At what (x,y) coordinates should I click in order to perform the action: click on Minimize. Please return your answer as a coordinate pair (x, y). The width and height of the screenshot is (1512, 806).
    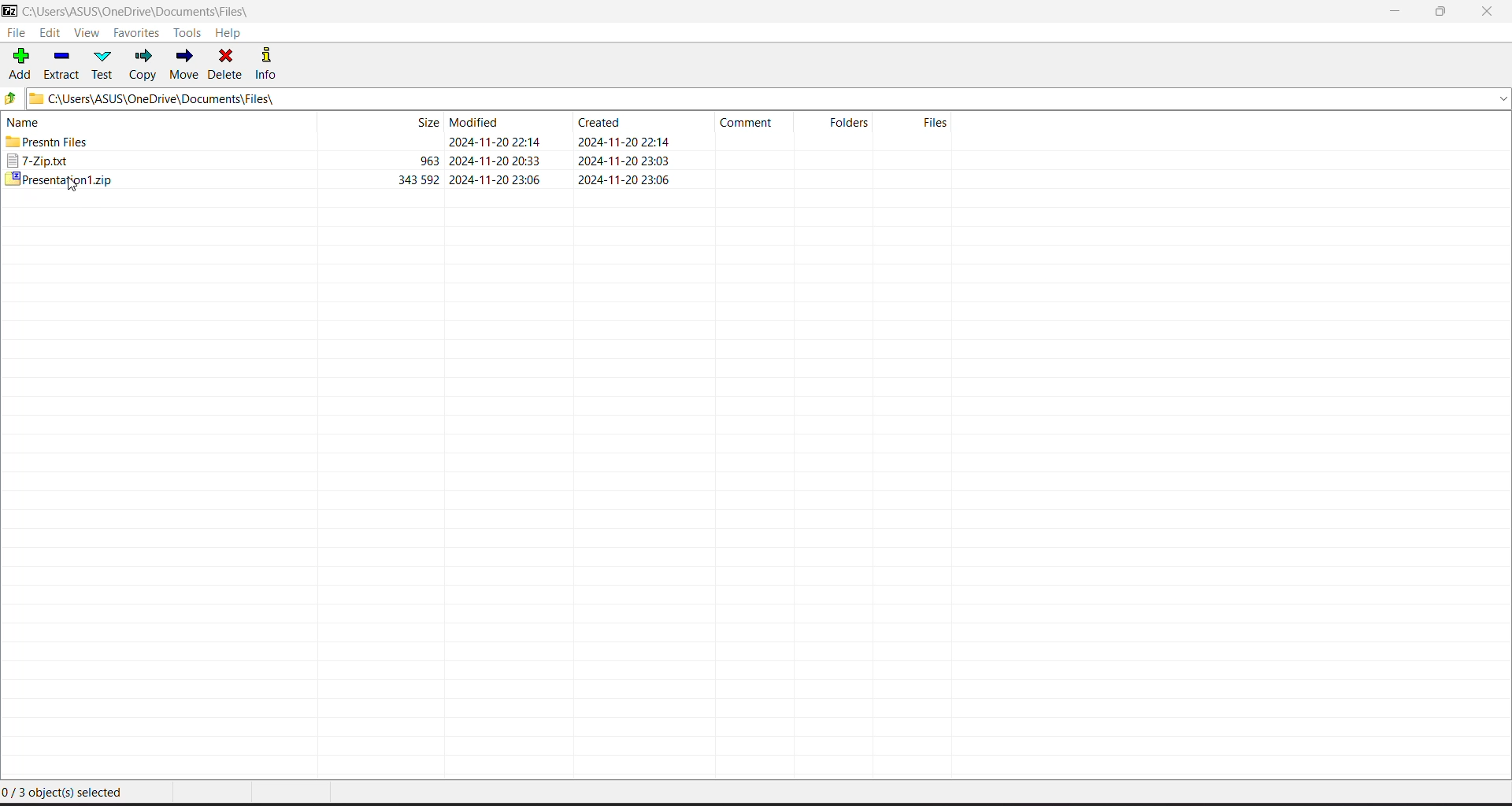
    Looking at the image, I should click on (1395, 12).